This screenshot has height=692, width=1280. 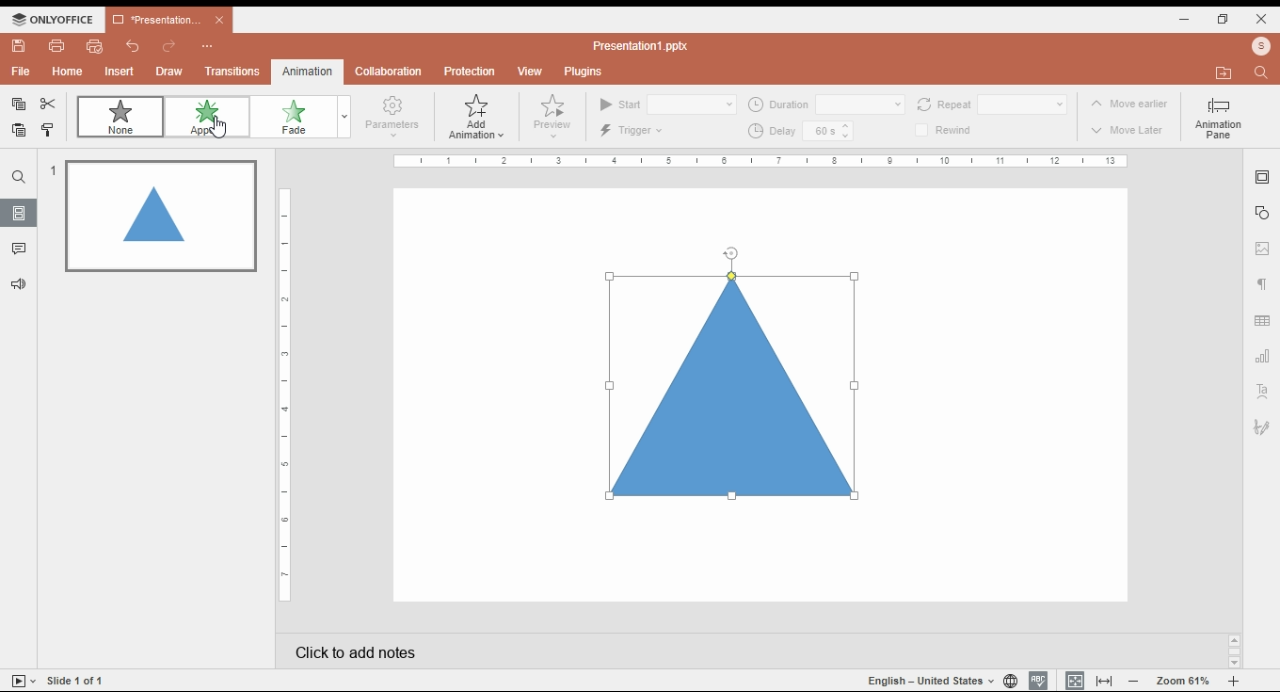 What do you see at coordinates (48, 103) in the screenshot?
I see `cut` at bounding box center [48, 103].